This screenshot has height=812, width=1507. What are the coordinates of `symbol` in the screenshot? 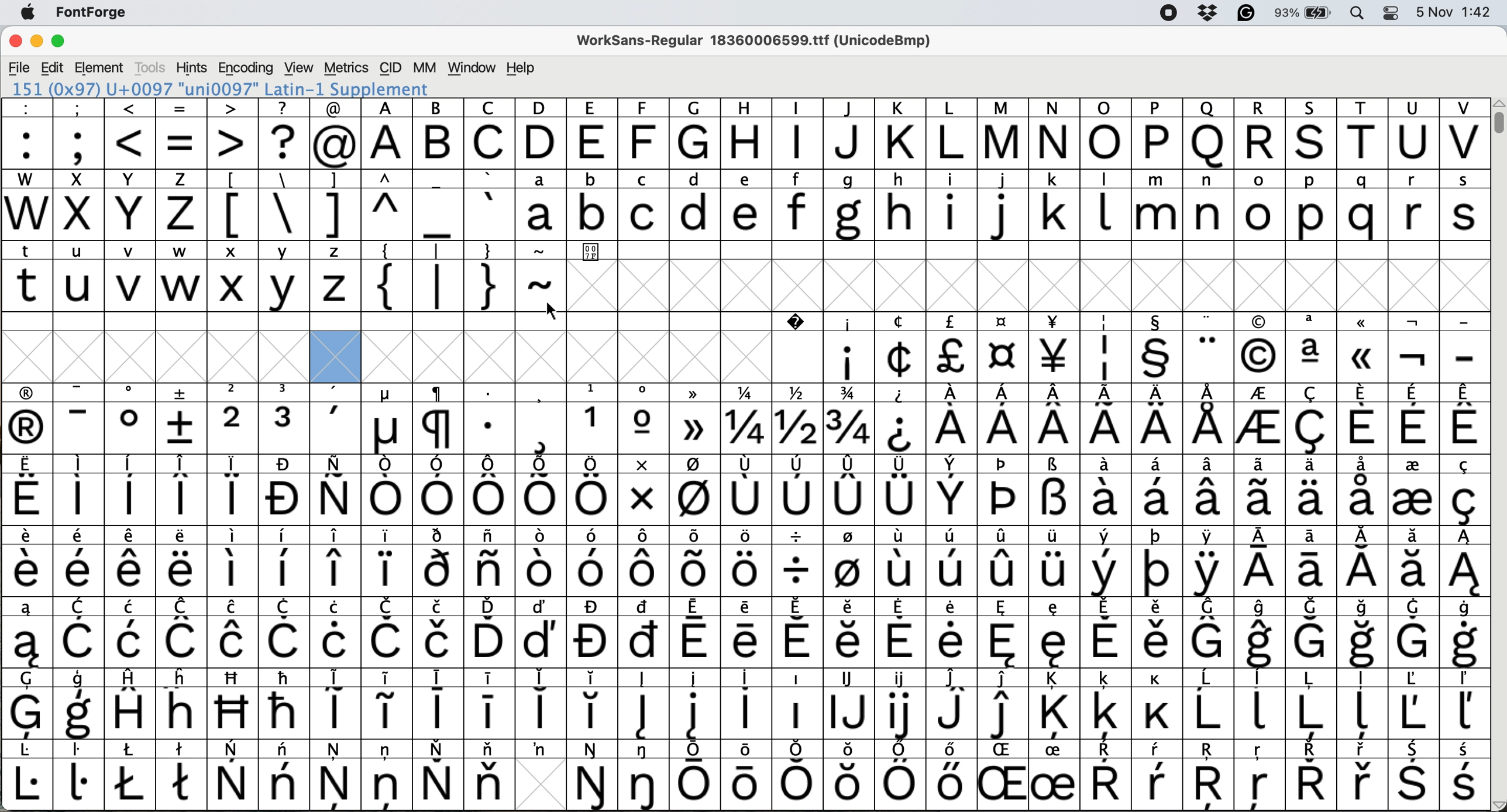 It's located at (25, 633).